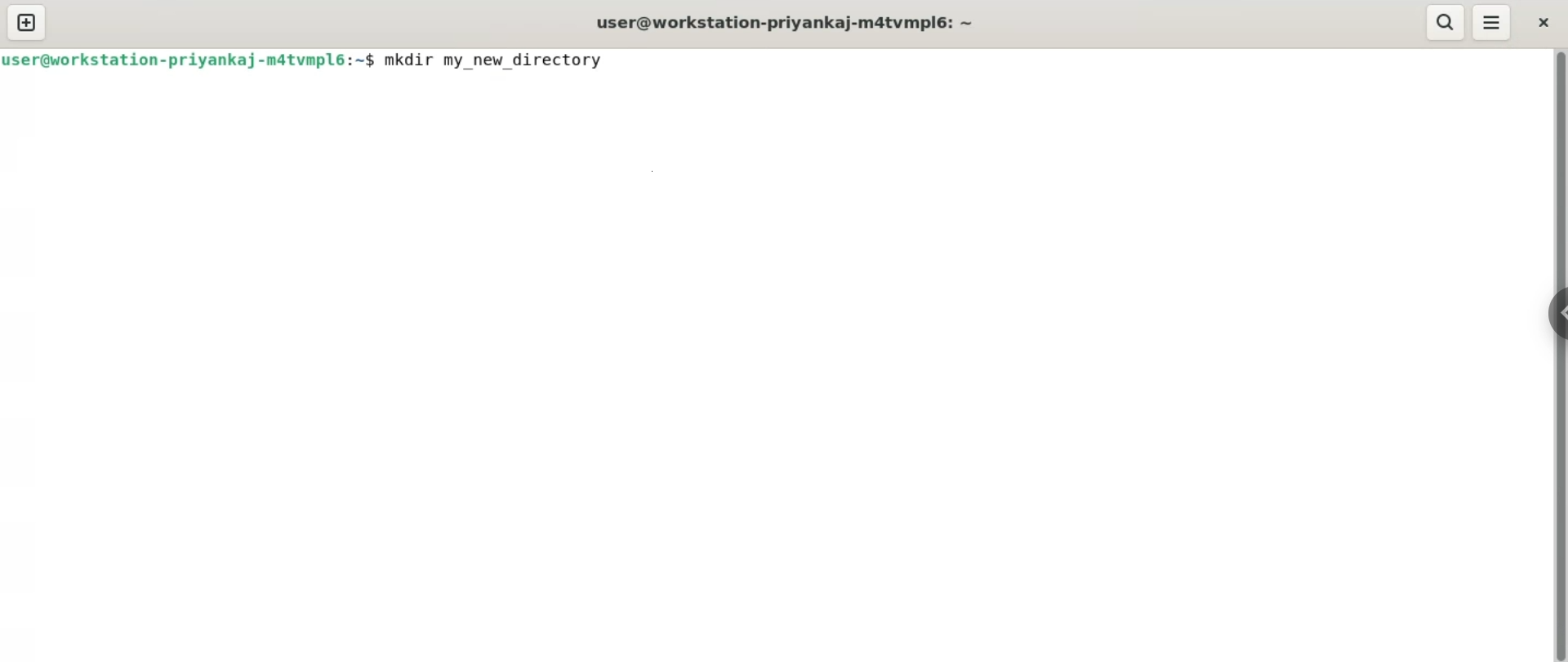 The width and height of the screenshot is (1568, 662). I want to click on mkdir my_new_directory, so click(501, 60).